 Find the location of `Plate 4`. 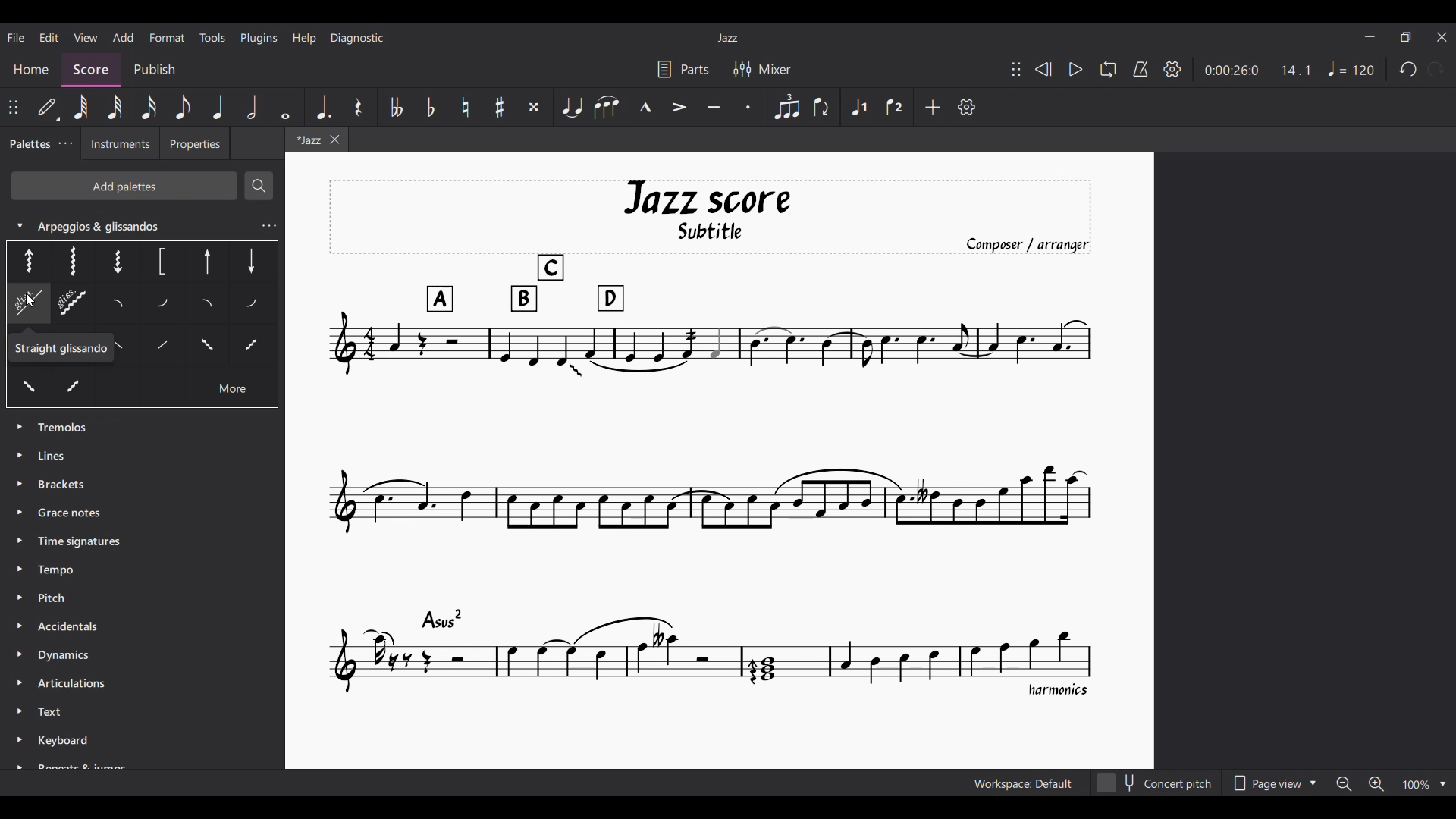

Plate 4 is located at coordinates (160, 262).